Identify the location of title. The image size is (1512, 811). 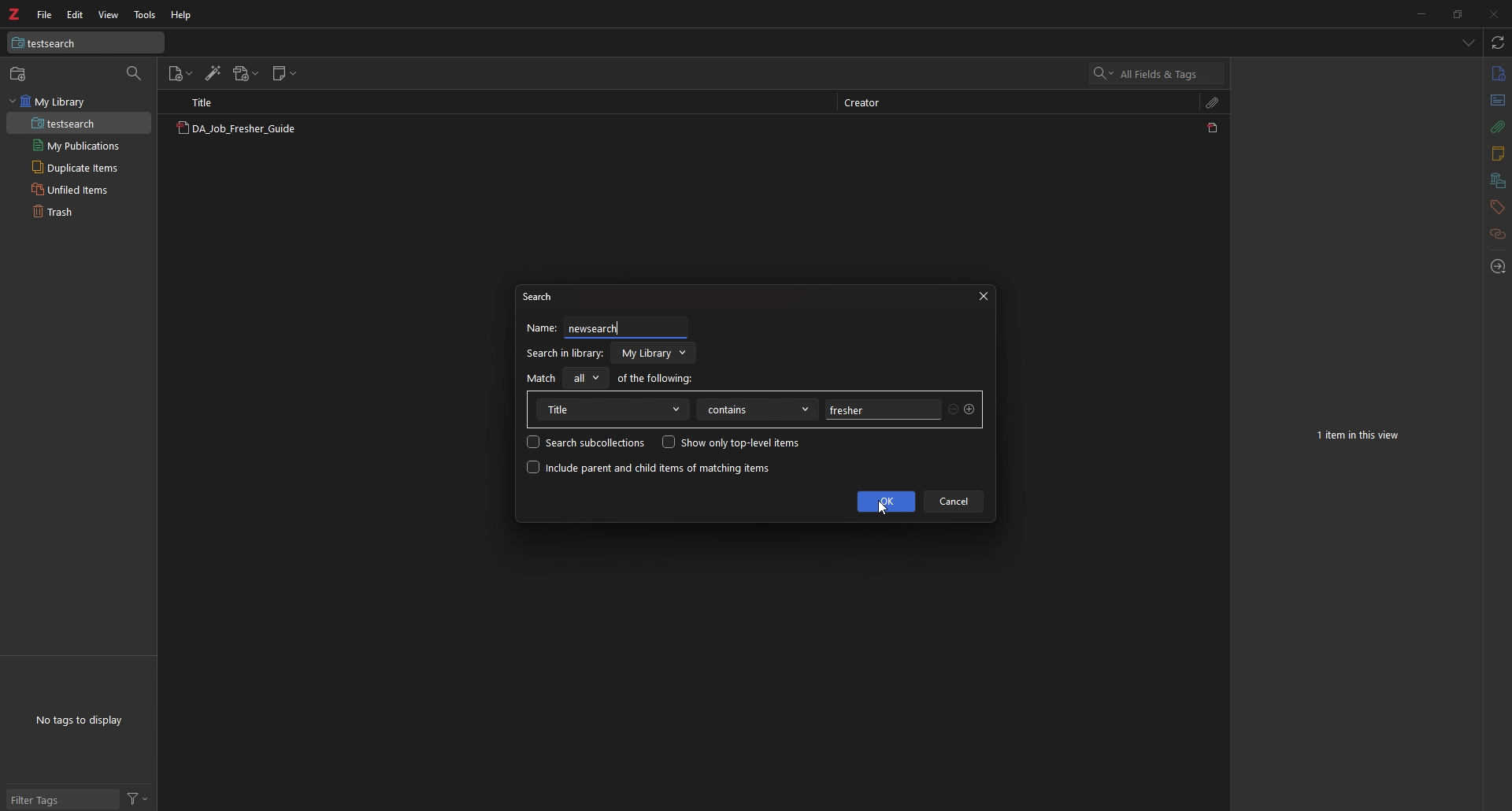
(612, 409).